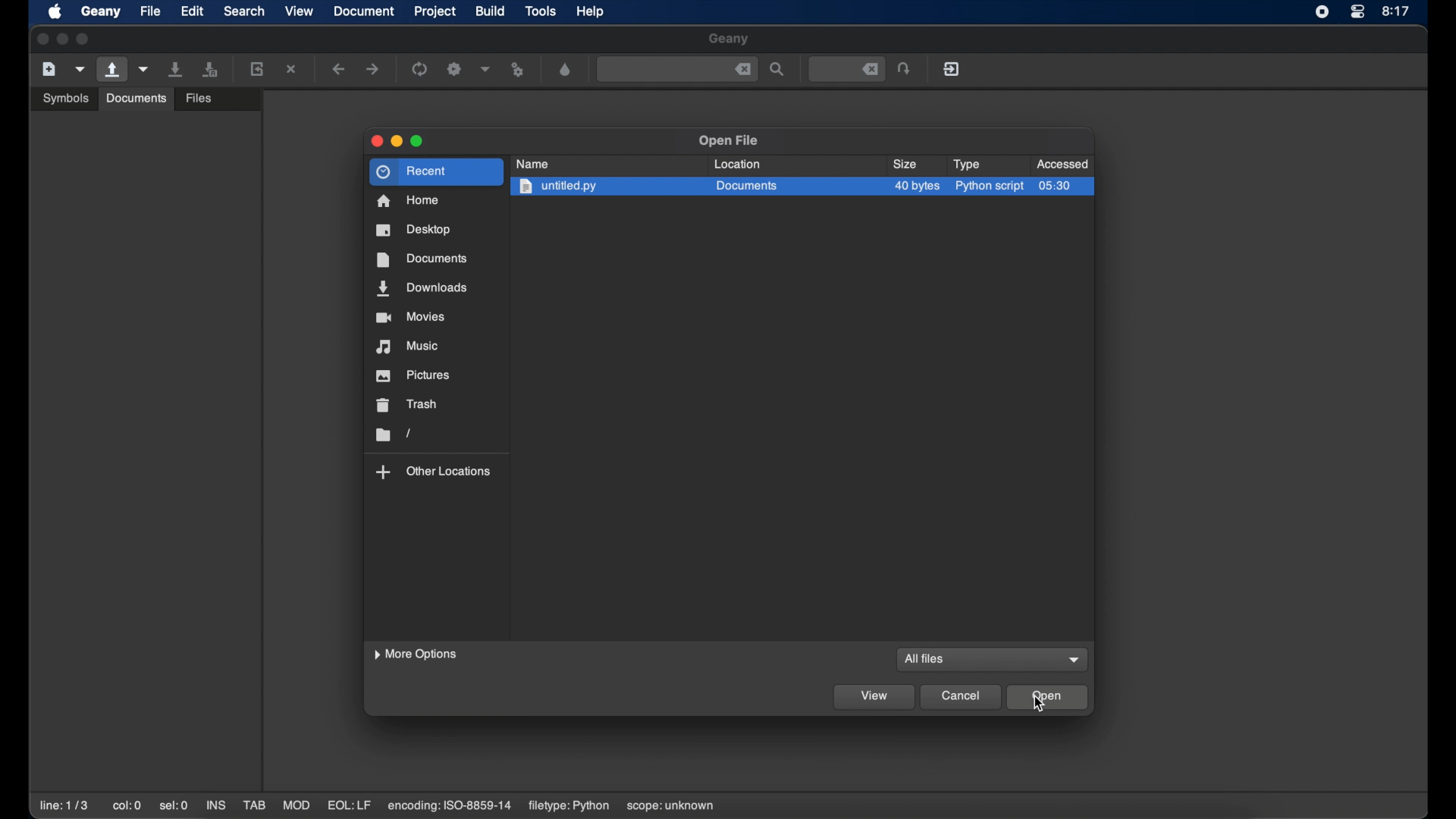  What do you see at coordinates (374, 68) in the screenshot?
I see `navigate forward a location` at bounding box center [374, 68].